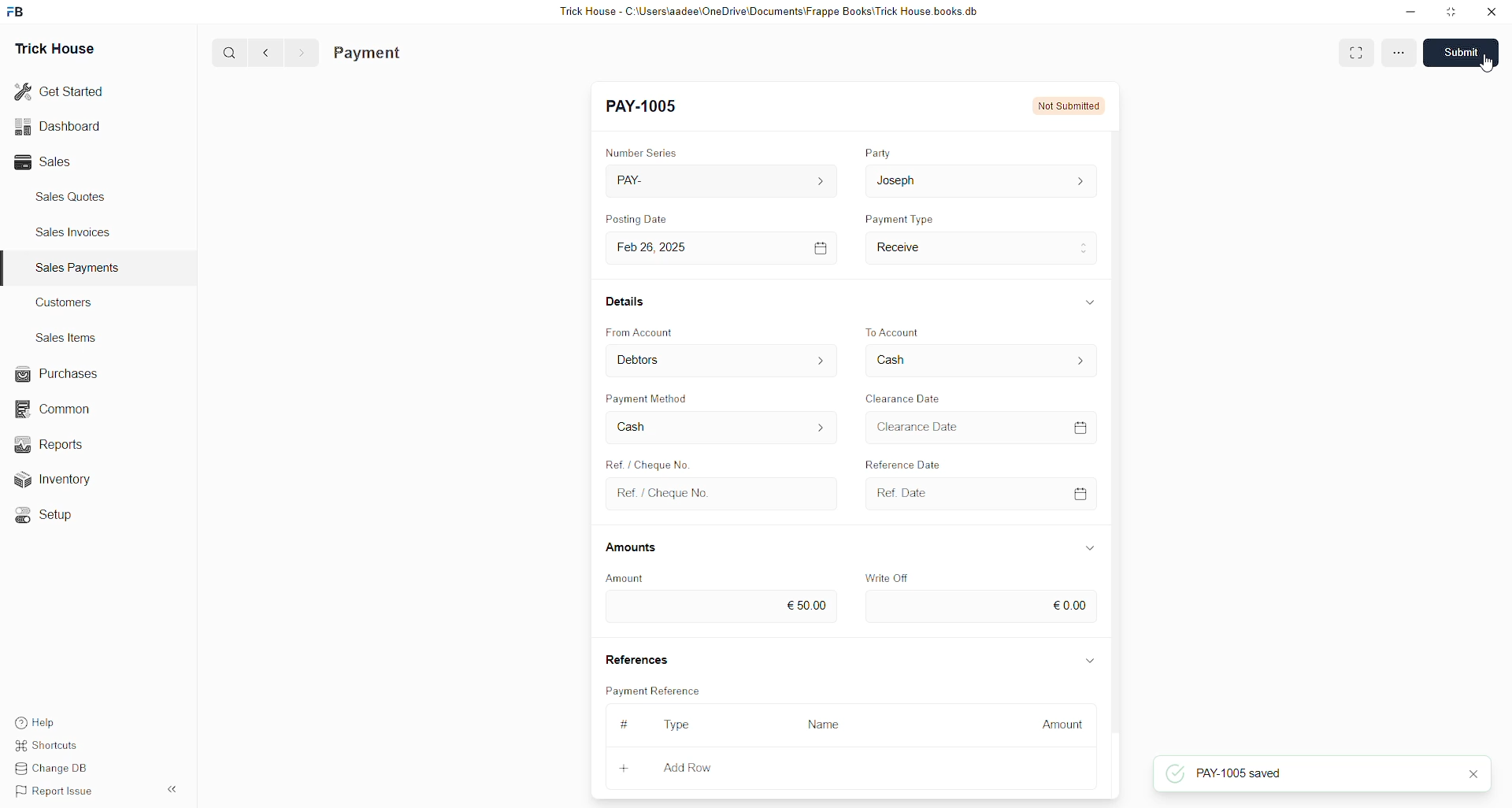 This screenshot has height=808, width=1512. Describe the element at coordinates (69, 302) in the screenshot. I see `Customers` at that location.